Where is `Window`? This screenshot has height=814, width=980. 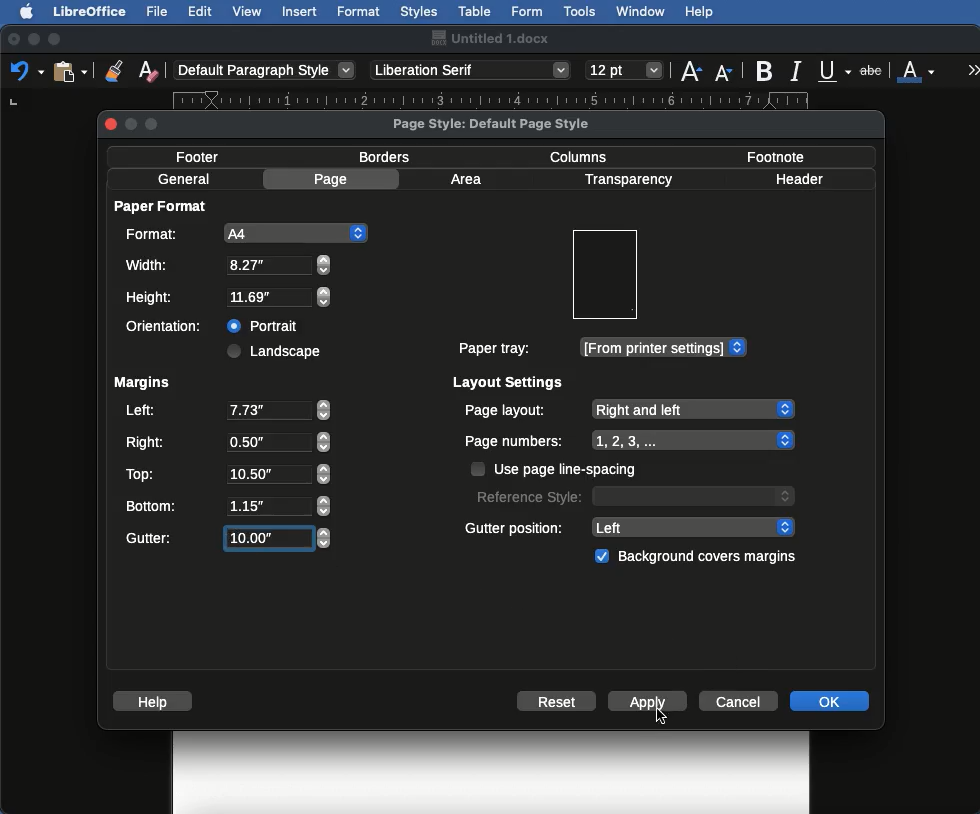 Window is located at coordinates (641, 12).